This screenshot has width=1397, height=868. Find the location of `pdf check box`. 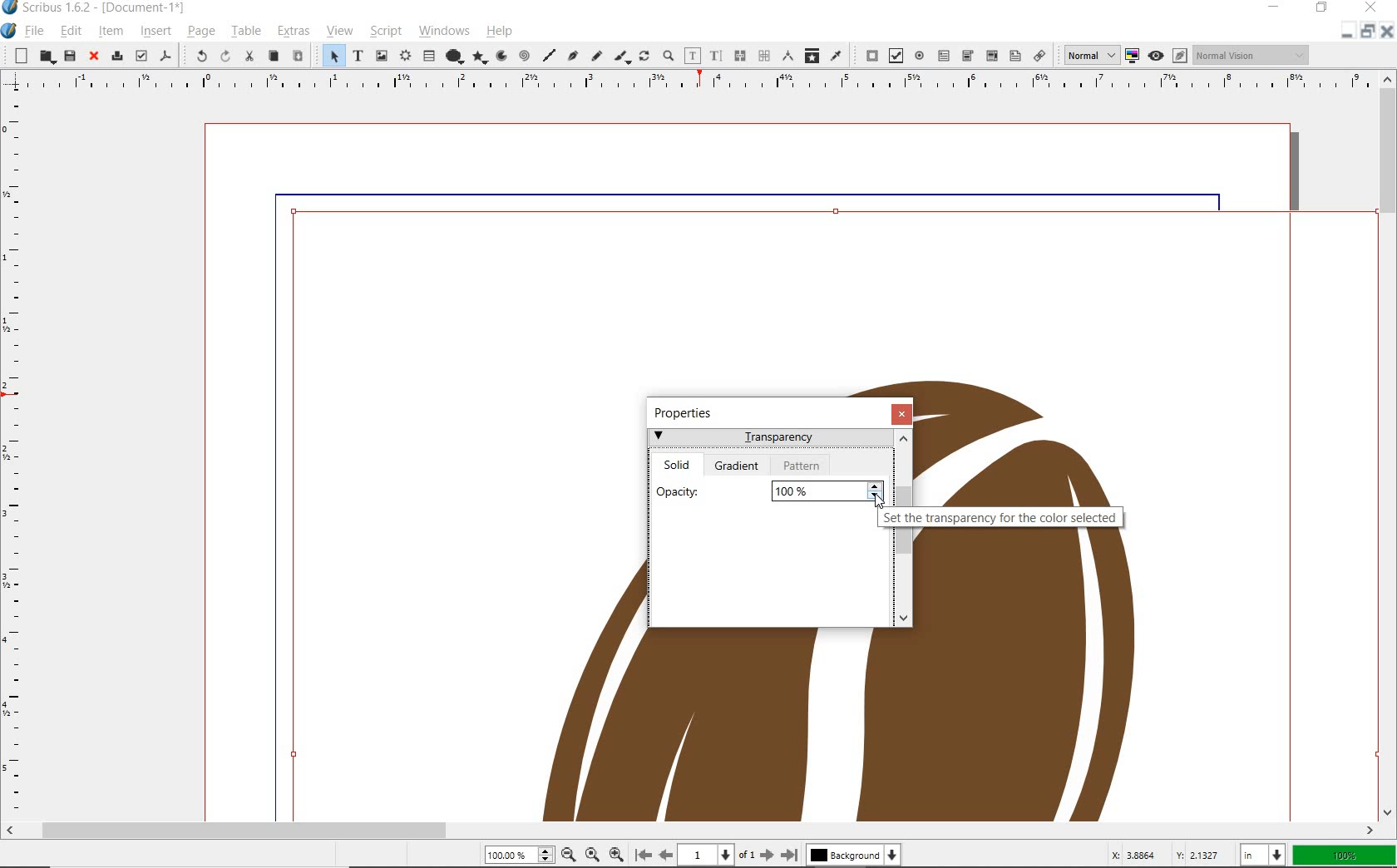

pdf check box is located at coordinates (896, 56).